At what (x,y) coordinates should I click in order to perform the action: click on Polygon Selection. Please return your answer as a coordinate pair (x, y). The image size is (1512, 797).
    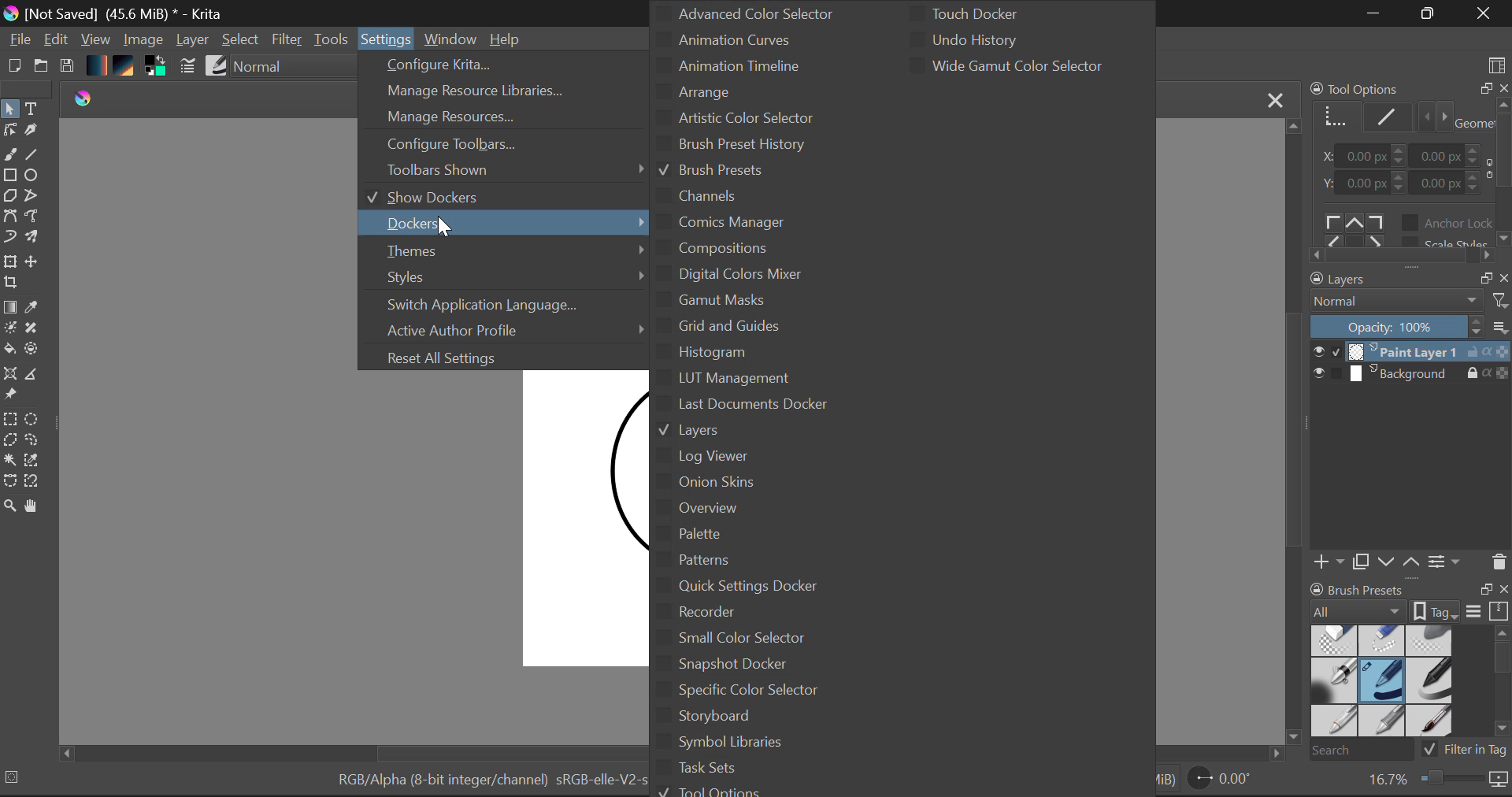
    Looking at the image, I should click on (10, 441).